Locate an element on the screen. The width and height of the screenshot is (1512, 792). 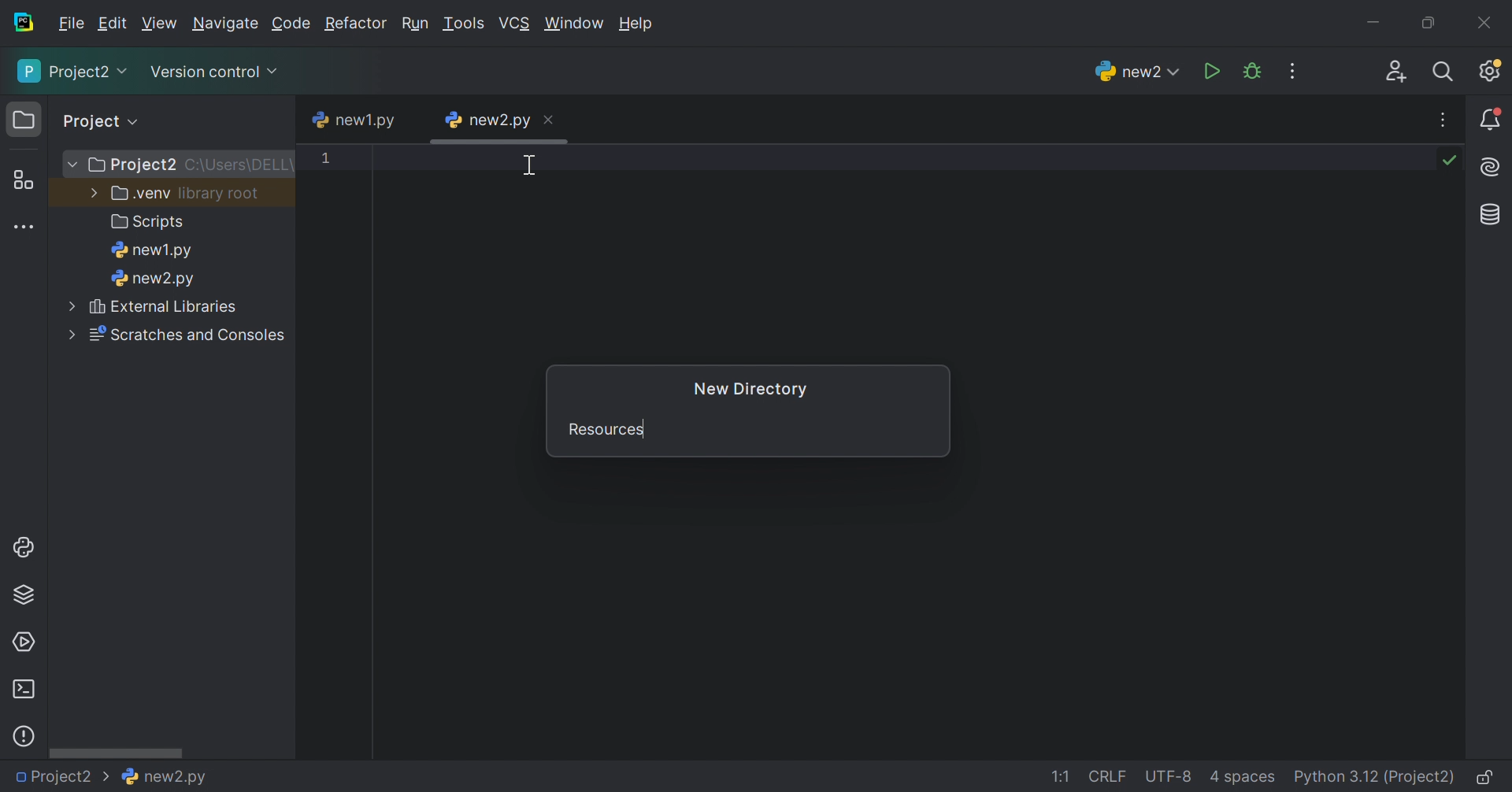
new2.py is located at coordinates (164, 775).